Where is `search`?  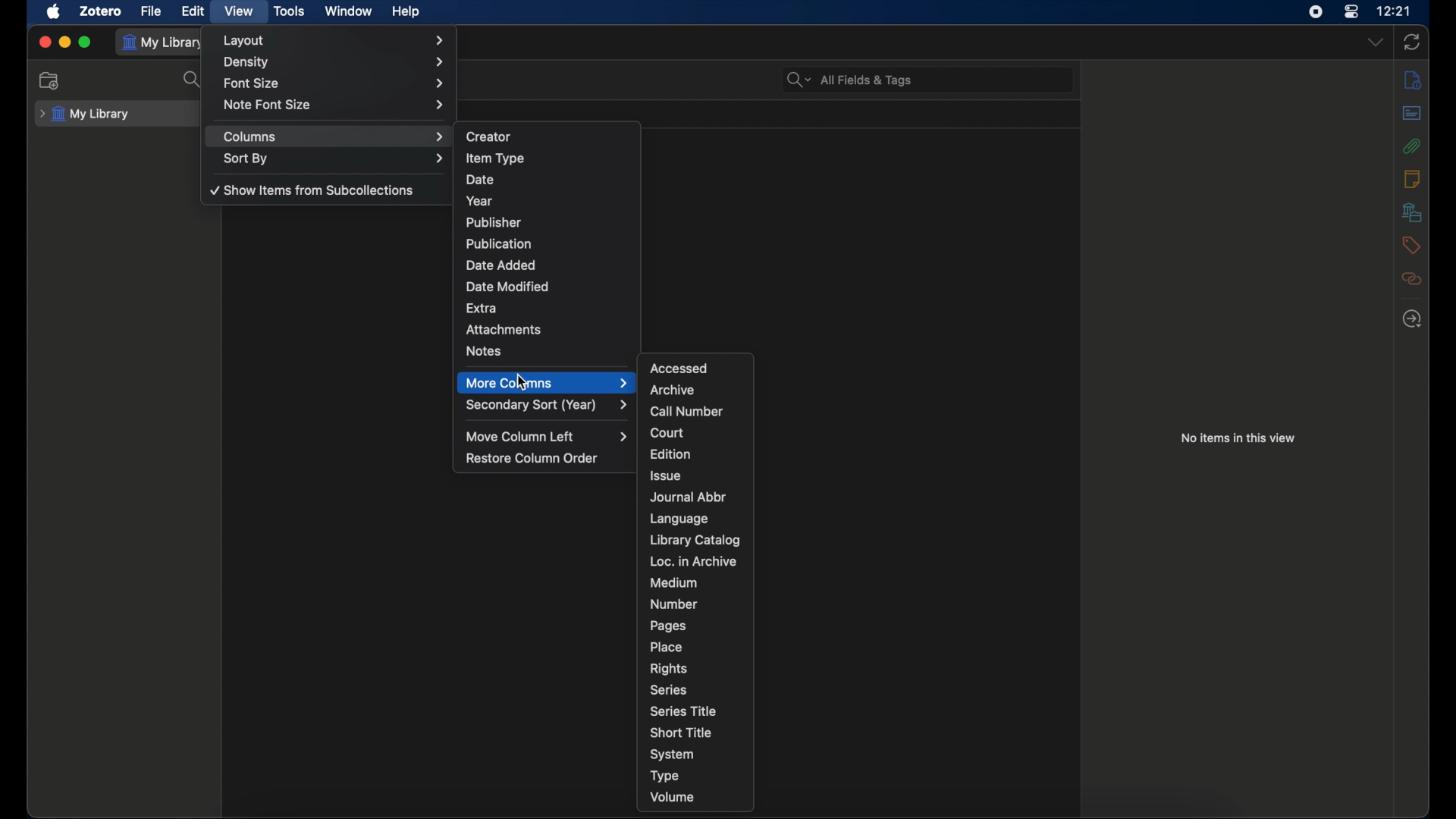
search is located at coordinates (193, 80).